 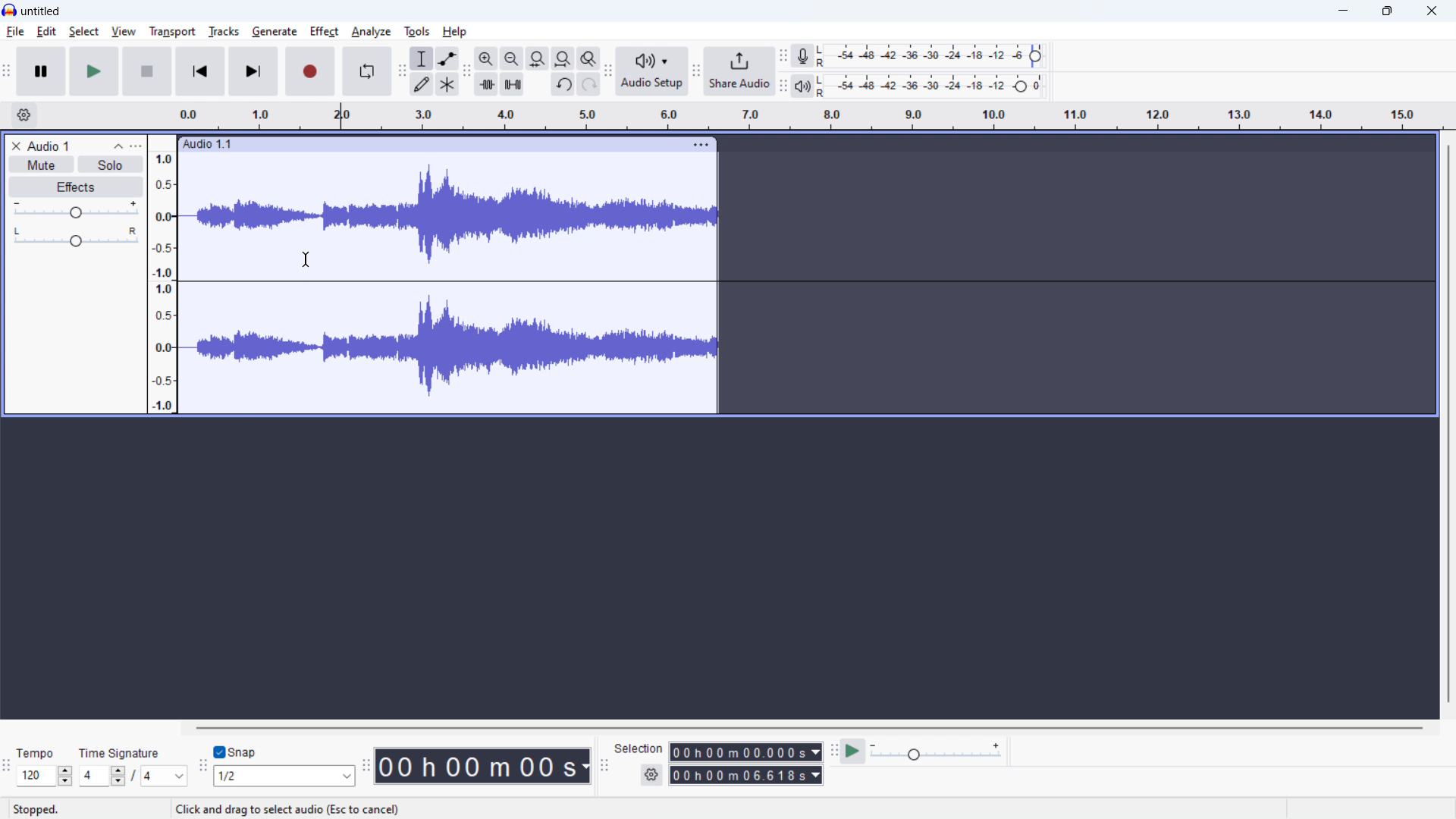 What do you see at coordinates (95, 71) in the screenshot?
I see `play` at bounding box center [95, 71].